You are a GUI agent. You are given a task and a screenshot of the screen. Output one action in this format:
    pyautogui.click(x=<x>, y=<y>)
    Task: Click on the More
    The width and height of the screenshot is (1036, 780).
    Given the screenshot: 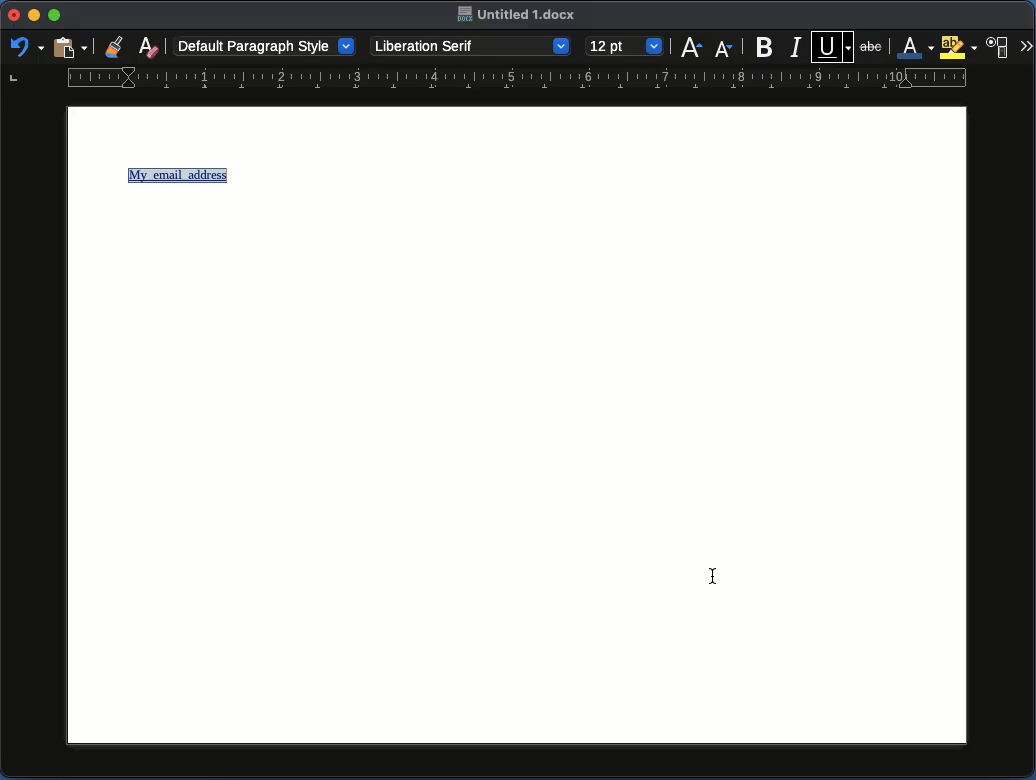 What is the action you would take?
    pyautogui.click(x=1026, y=44)
    